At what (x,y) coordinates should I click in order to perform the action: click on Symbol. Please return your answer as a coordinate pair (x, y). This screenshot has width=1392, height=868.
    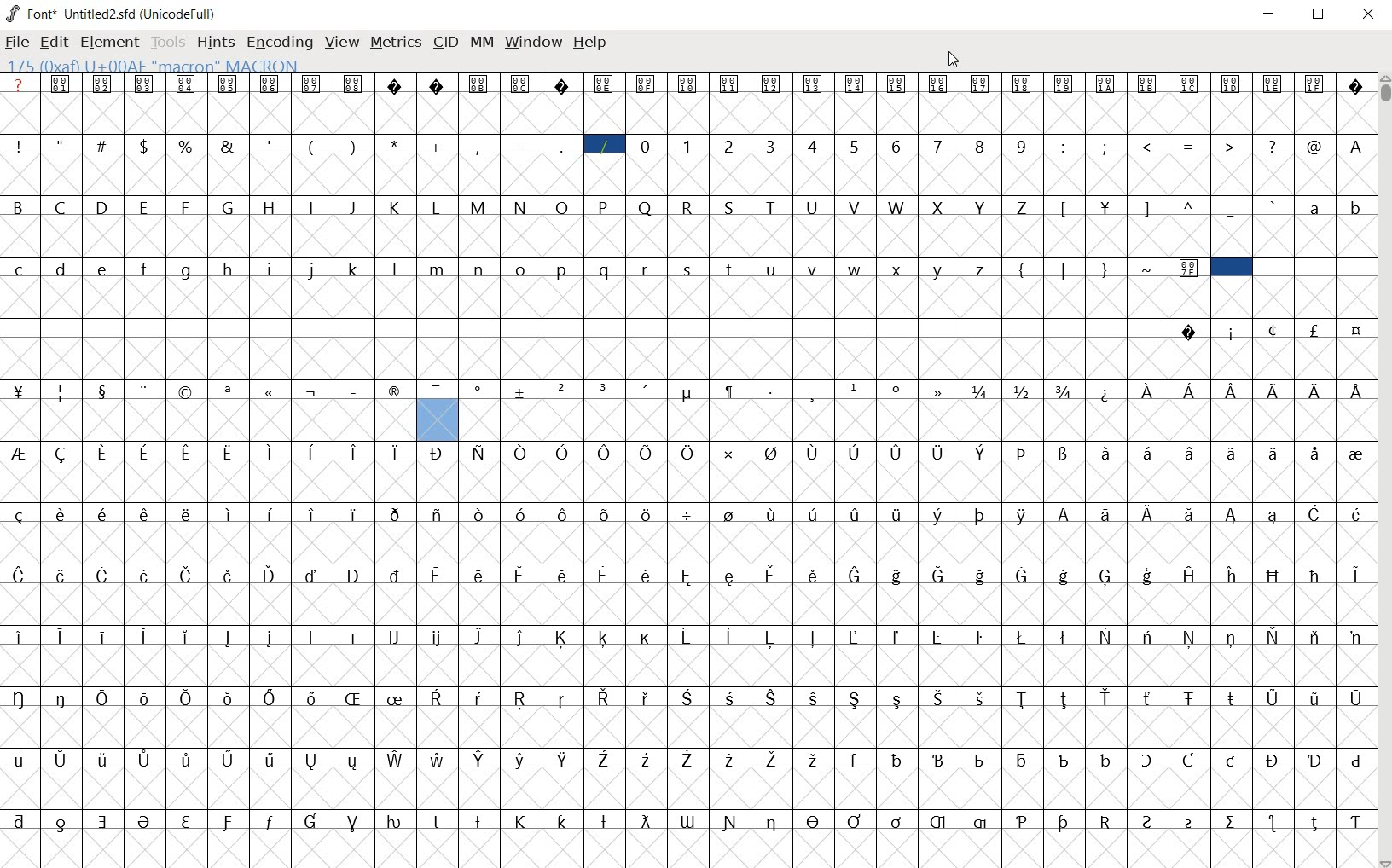
    Looking at the image, I should click on (774, 821).